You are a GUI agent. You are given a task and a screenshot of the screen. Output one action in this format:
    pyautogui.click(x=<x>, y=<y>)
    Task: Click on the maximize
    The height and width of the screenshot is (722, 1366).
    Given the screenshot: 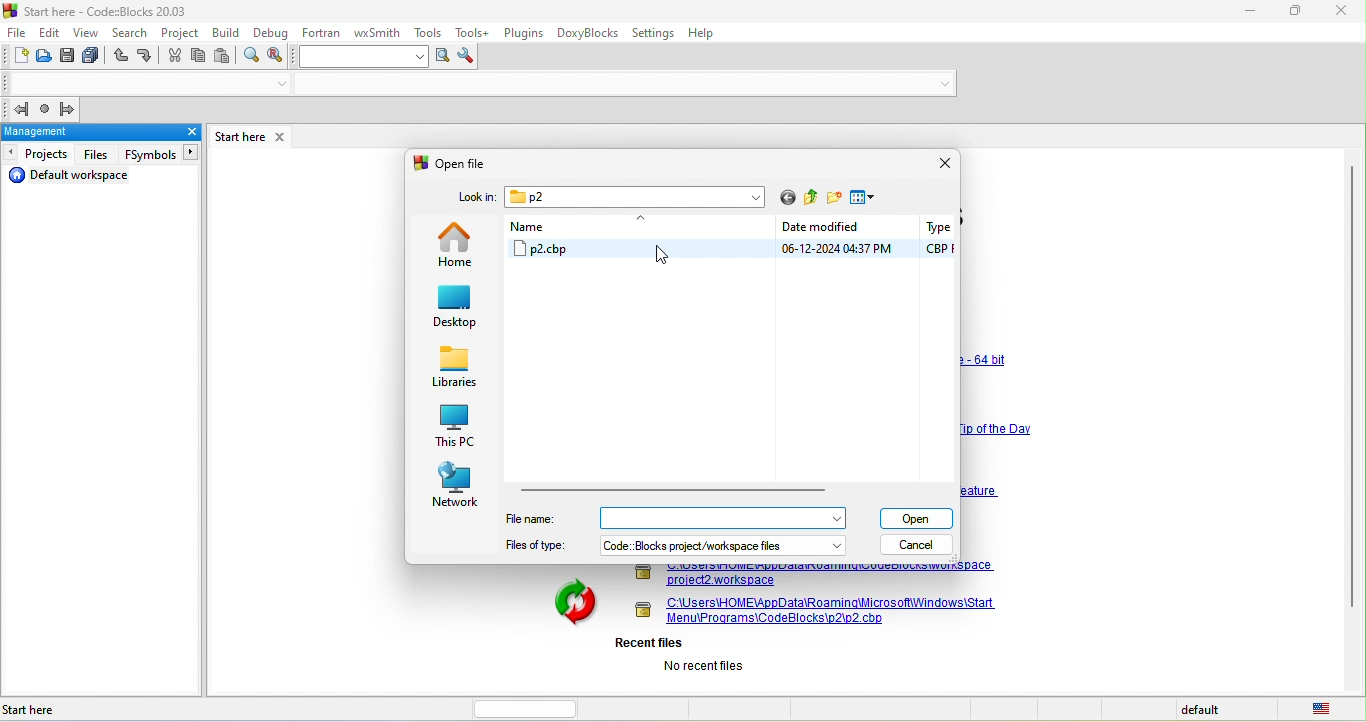 What is the action you would take?
    pyautogui.click(x=1288, y=9)
    